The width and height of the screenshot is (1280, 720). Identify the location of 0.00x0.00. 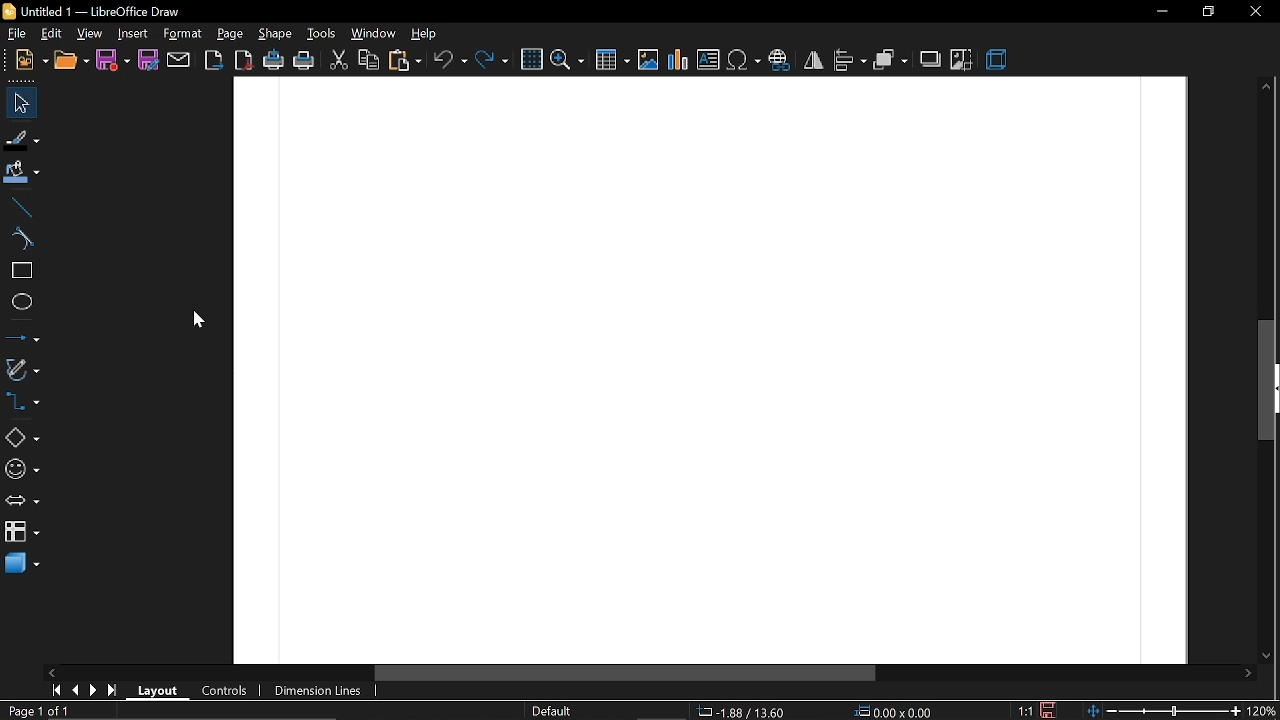
(894, 712).